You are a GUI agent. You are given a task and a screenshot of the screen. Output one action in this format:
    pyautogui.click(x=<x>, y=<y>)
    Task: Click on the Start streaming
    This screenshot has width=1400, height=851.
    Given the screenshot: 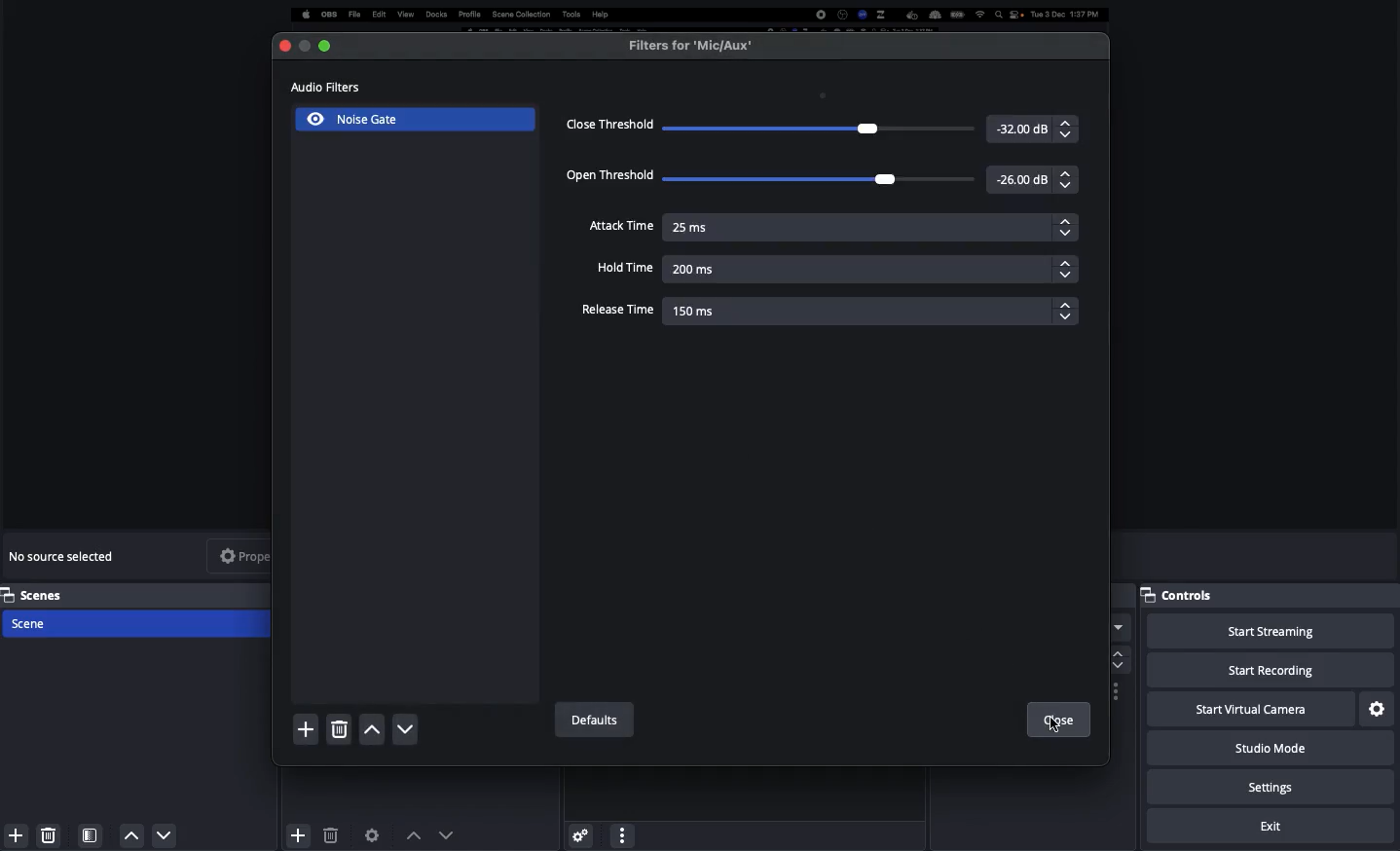 What is the action you would take?
    pyautogui.click(x=1270, y=632)
    